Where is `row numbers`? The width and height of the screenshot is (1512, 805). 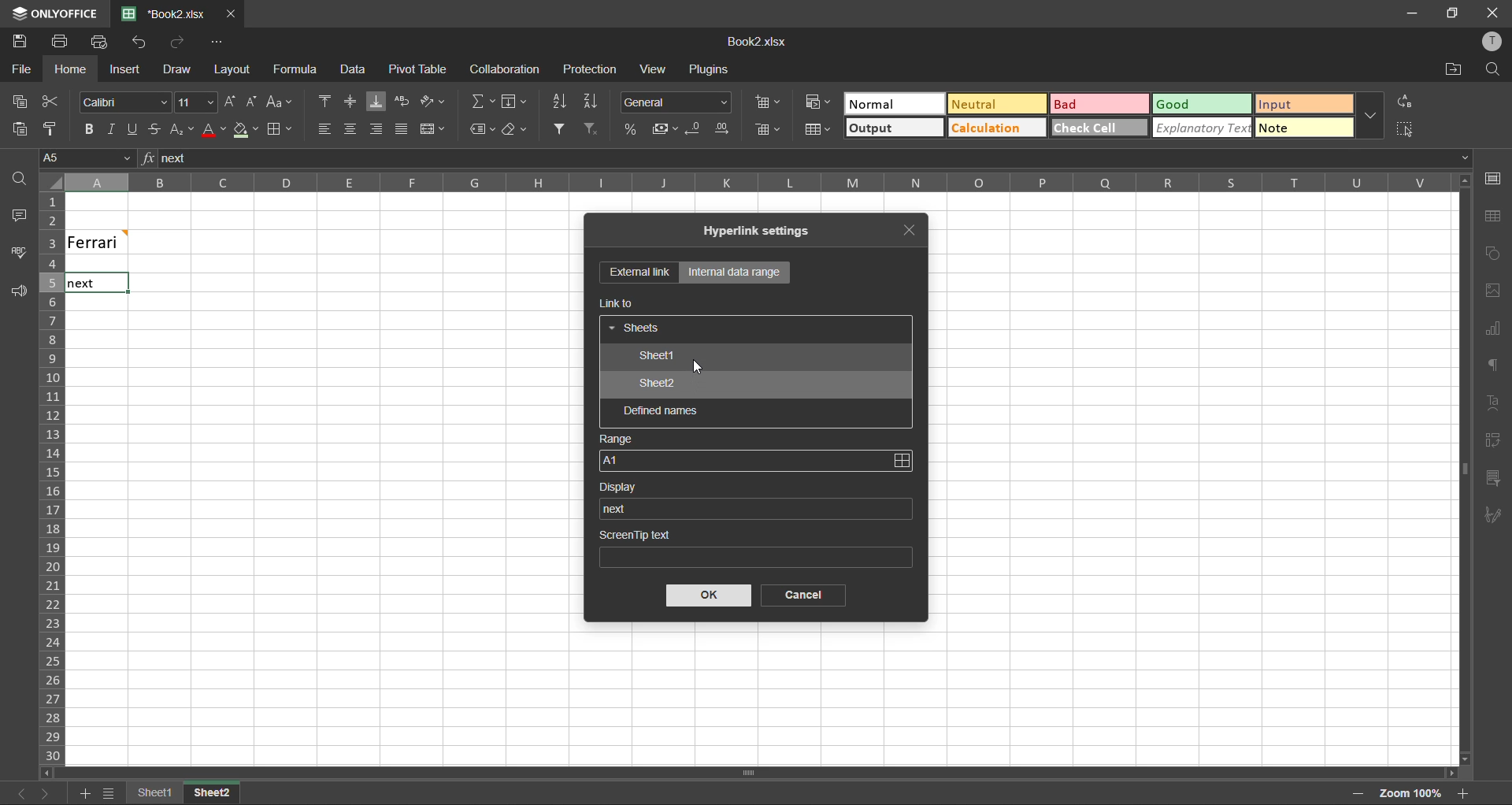
row numbers is located at coordinates (50, 479).